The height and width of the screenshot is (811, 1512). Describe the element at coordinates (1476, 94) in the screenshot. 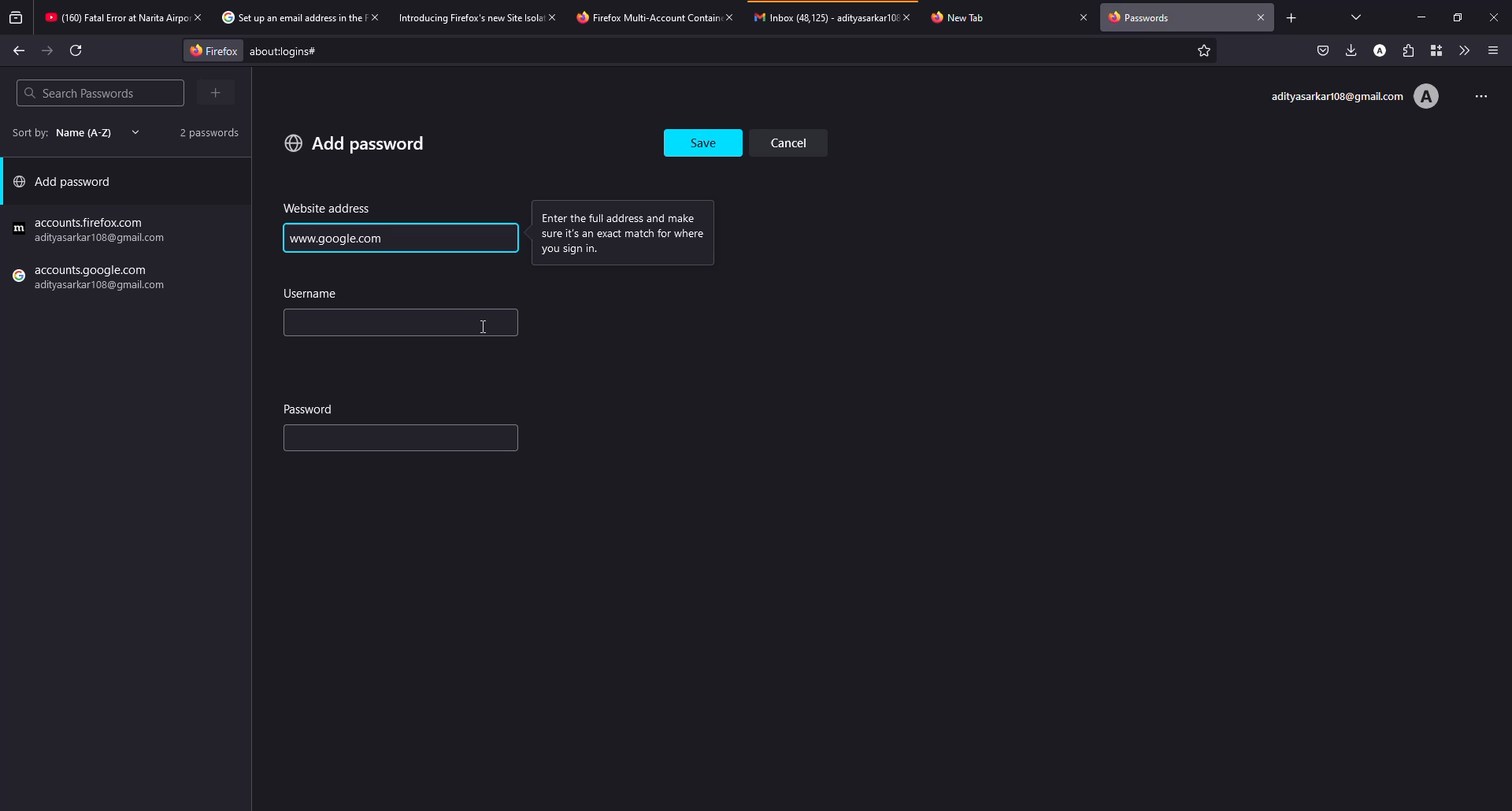

I see `more options` at that location.